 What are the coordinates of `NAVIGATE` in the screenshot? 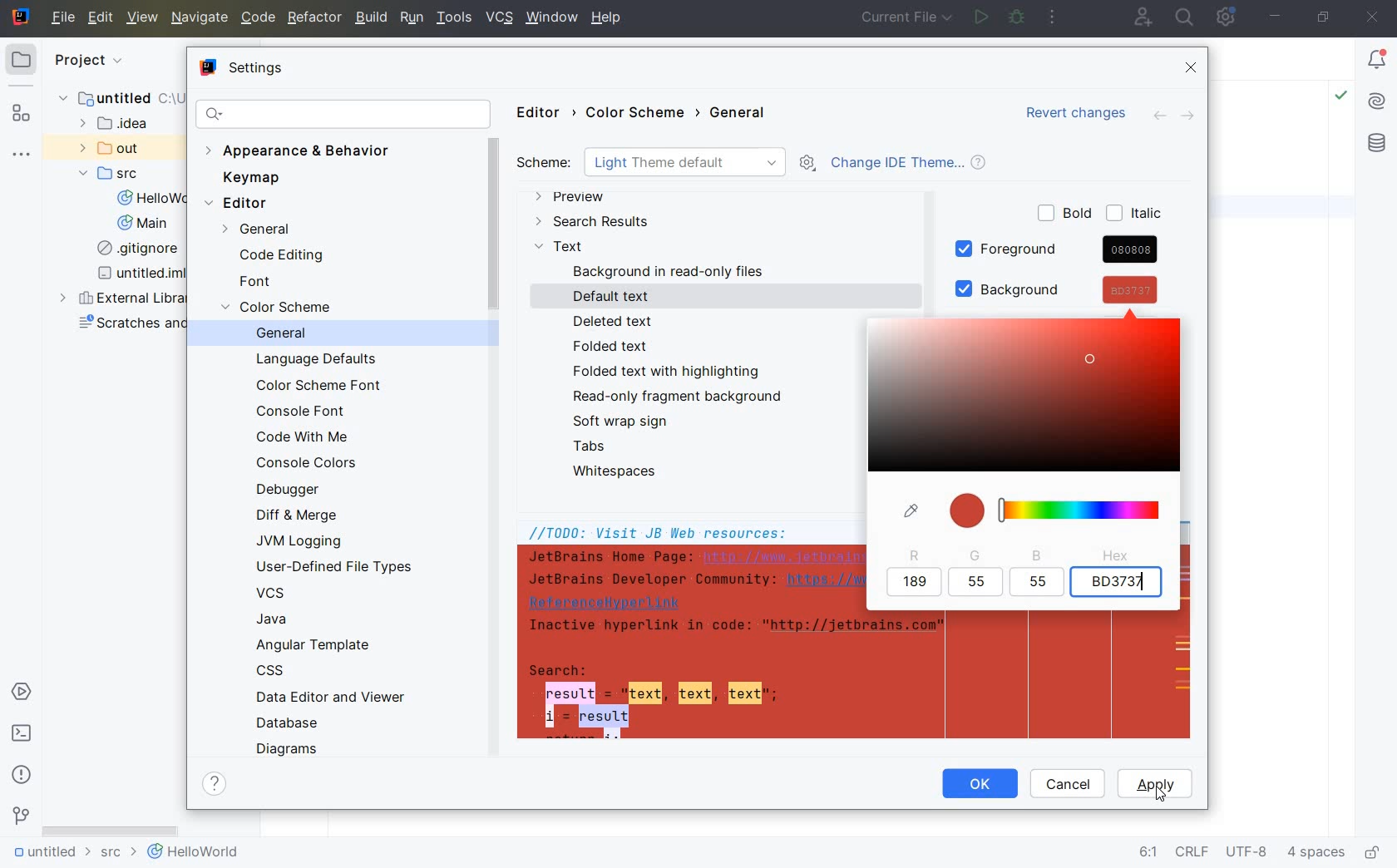 It's located at (198, 18).